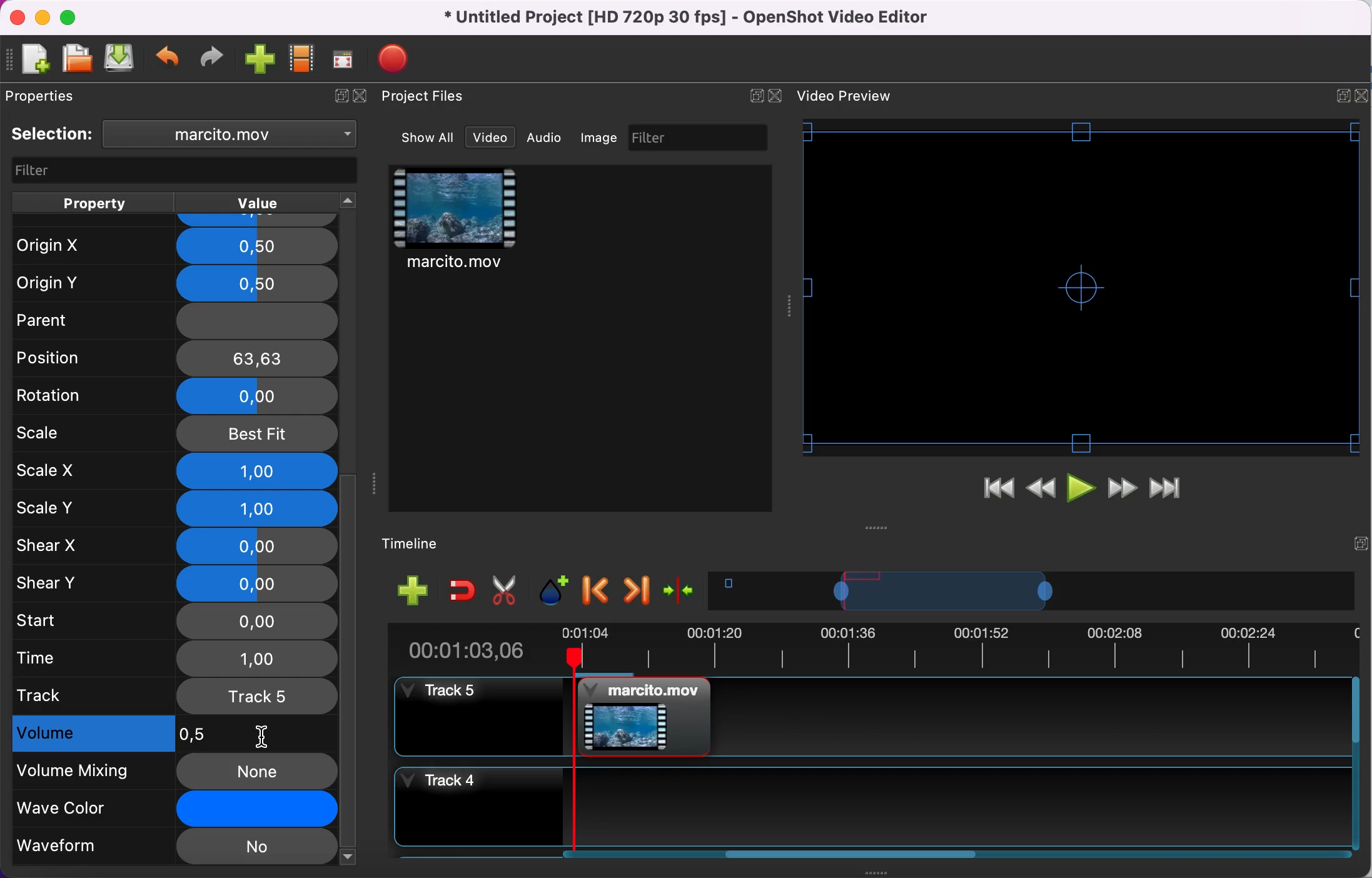  I want to click on Expand/Collapse, so click(756, 96).